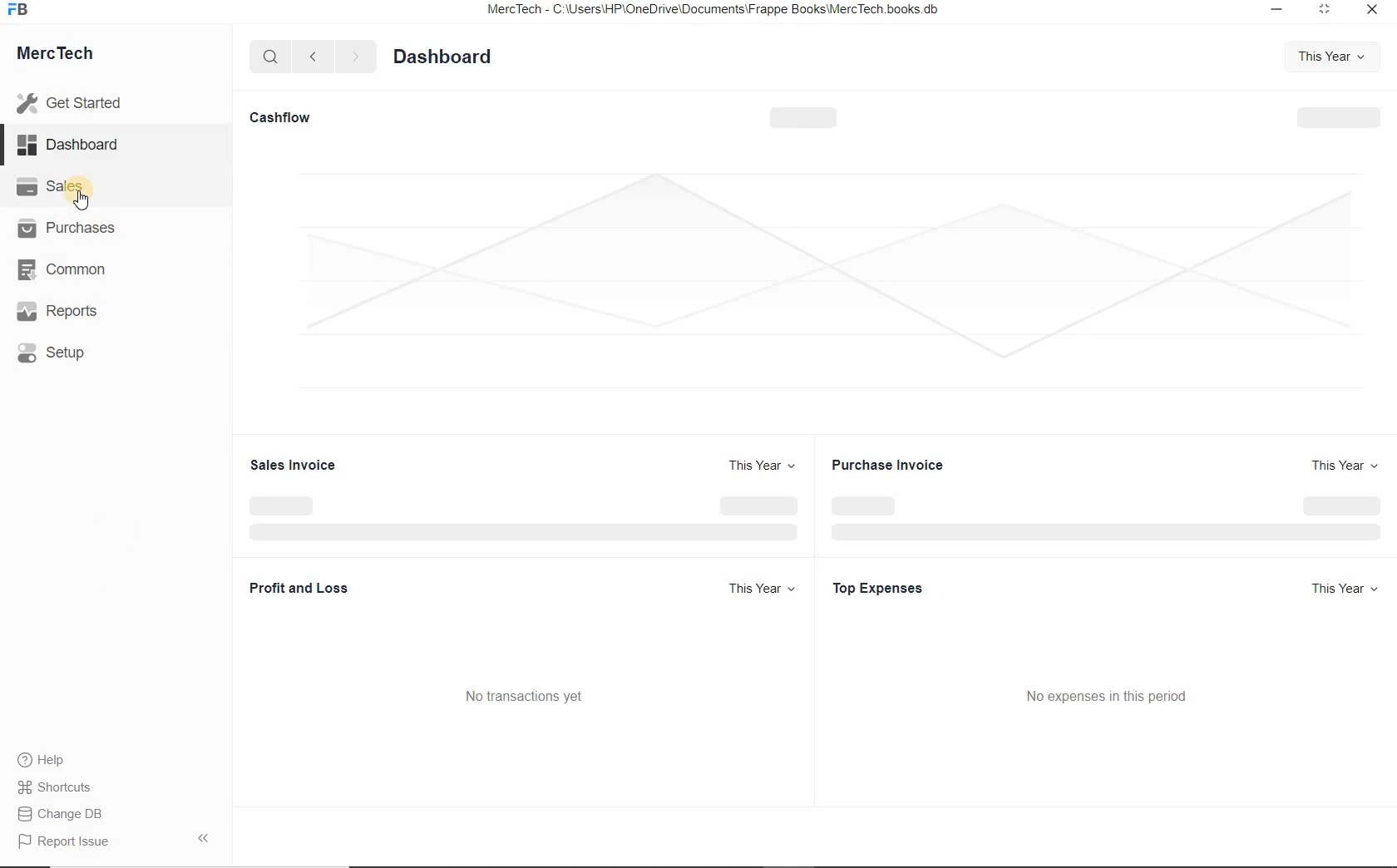  I want to click on Purchase Invoice, so click(901, 464).